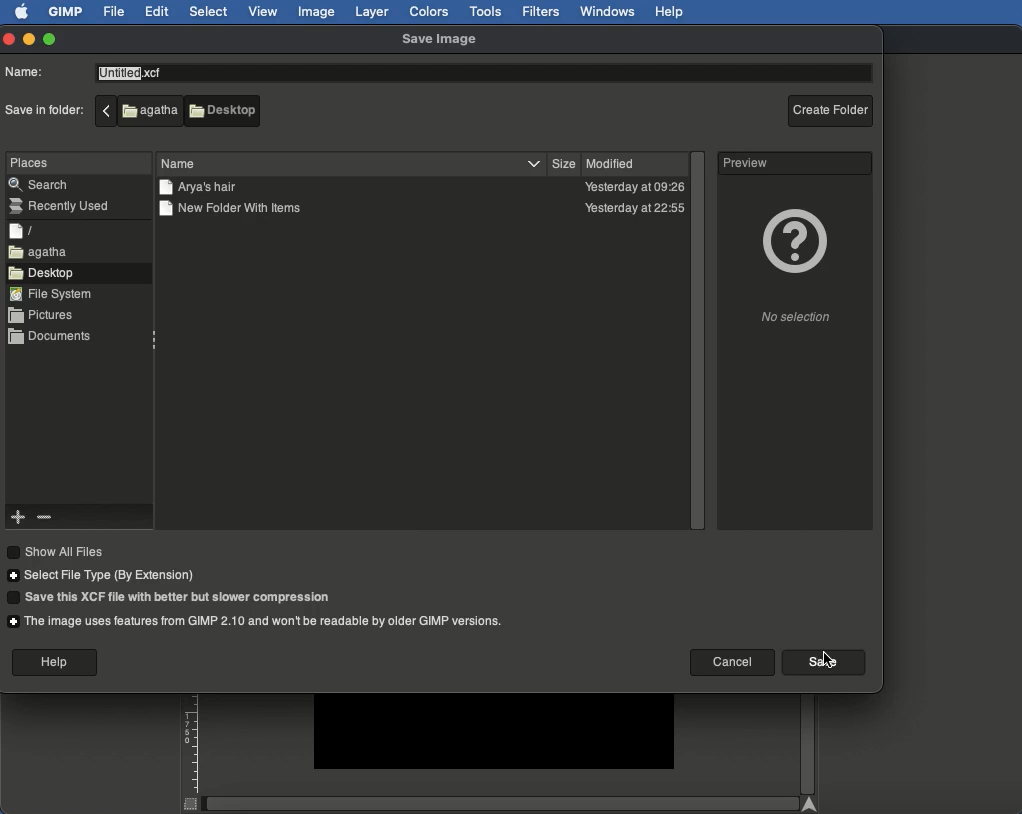  Describe the element at coordinates (55, 662) in the screenshot. I see `Help` at that location.